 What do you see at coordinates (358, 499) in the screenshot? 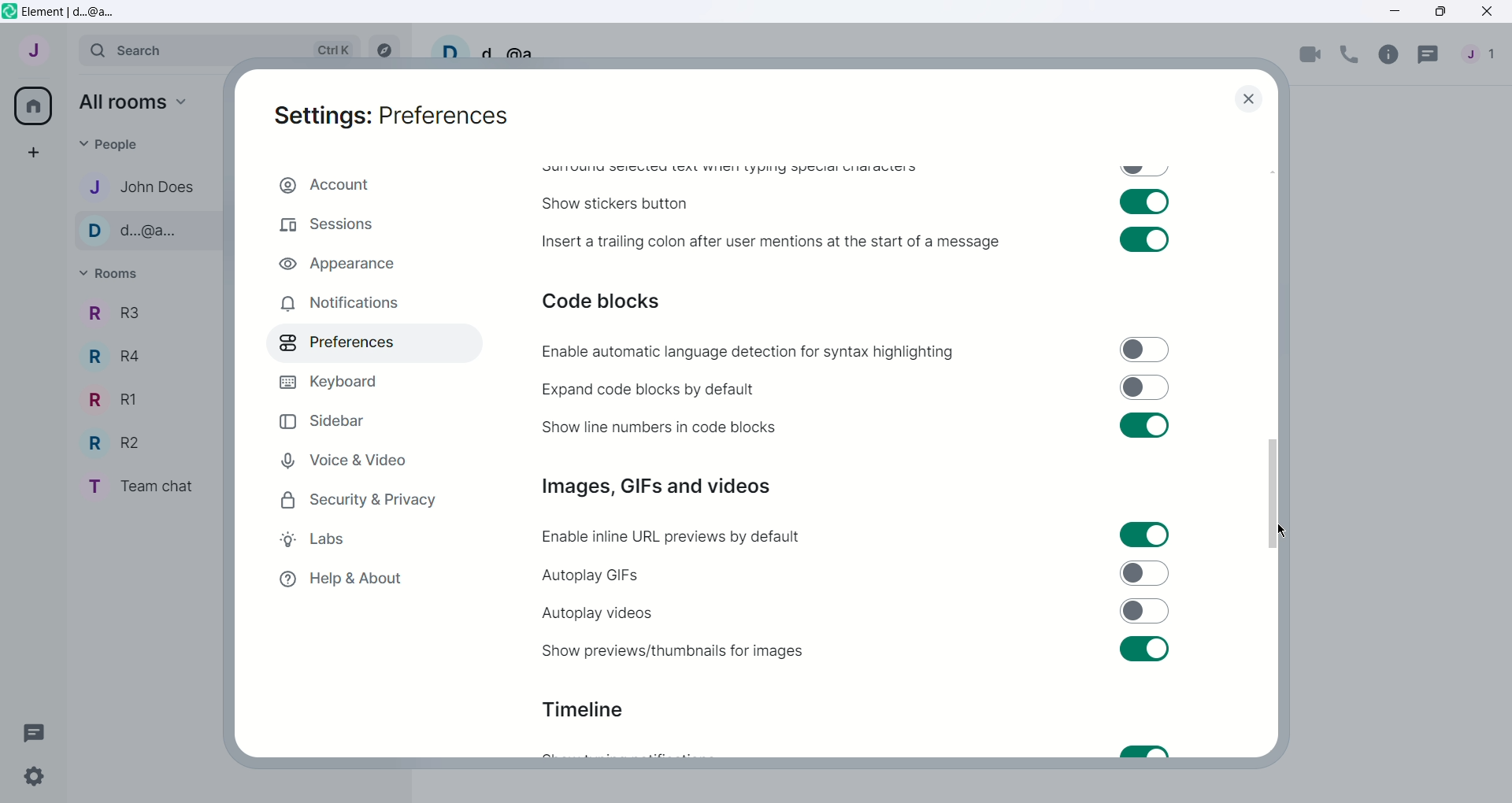
I see `Security and Privacy` at bounding box center [358, 499].